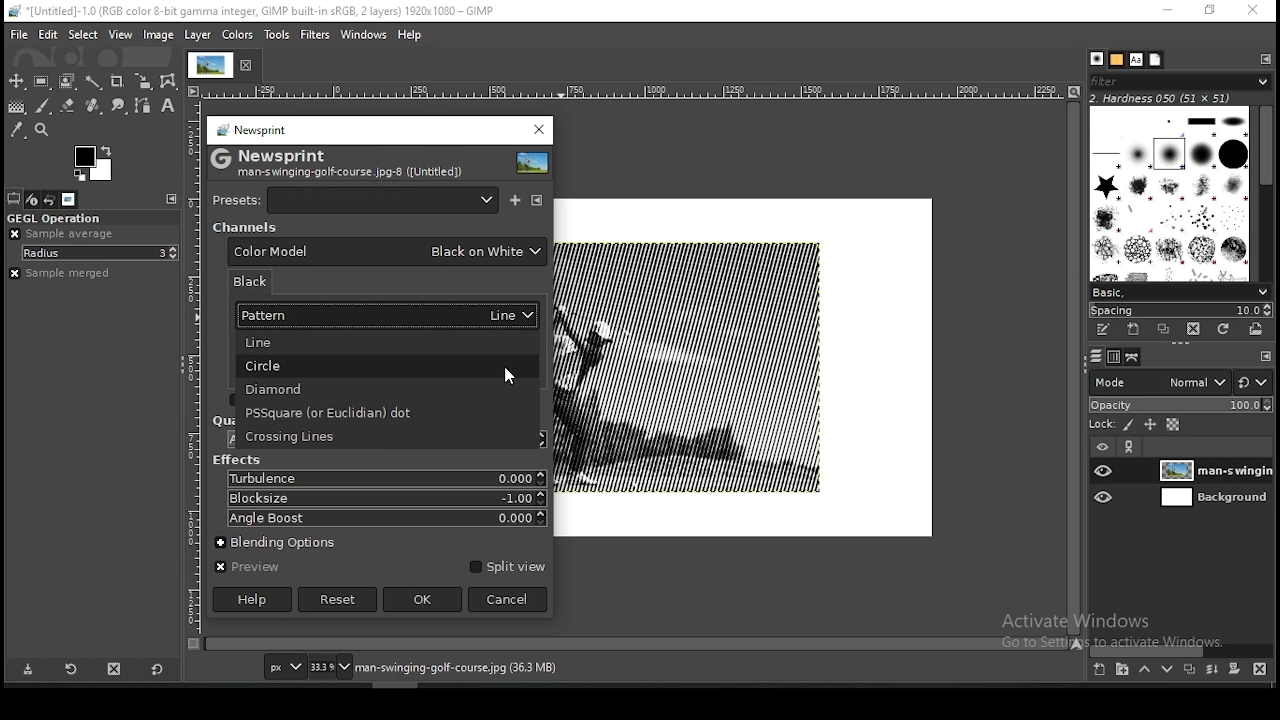  Describe the element at coordinates (169, 106) in the screenshot. I see `text tool` at that location.